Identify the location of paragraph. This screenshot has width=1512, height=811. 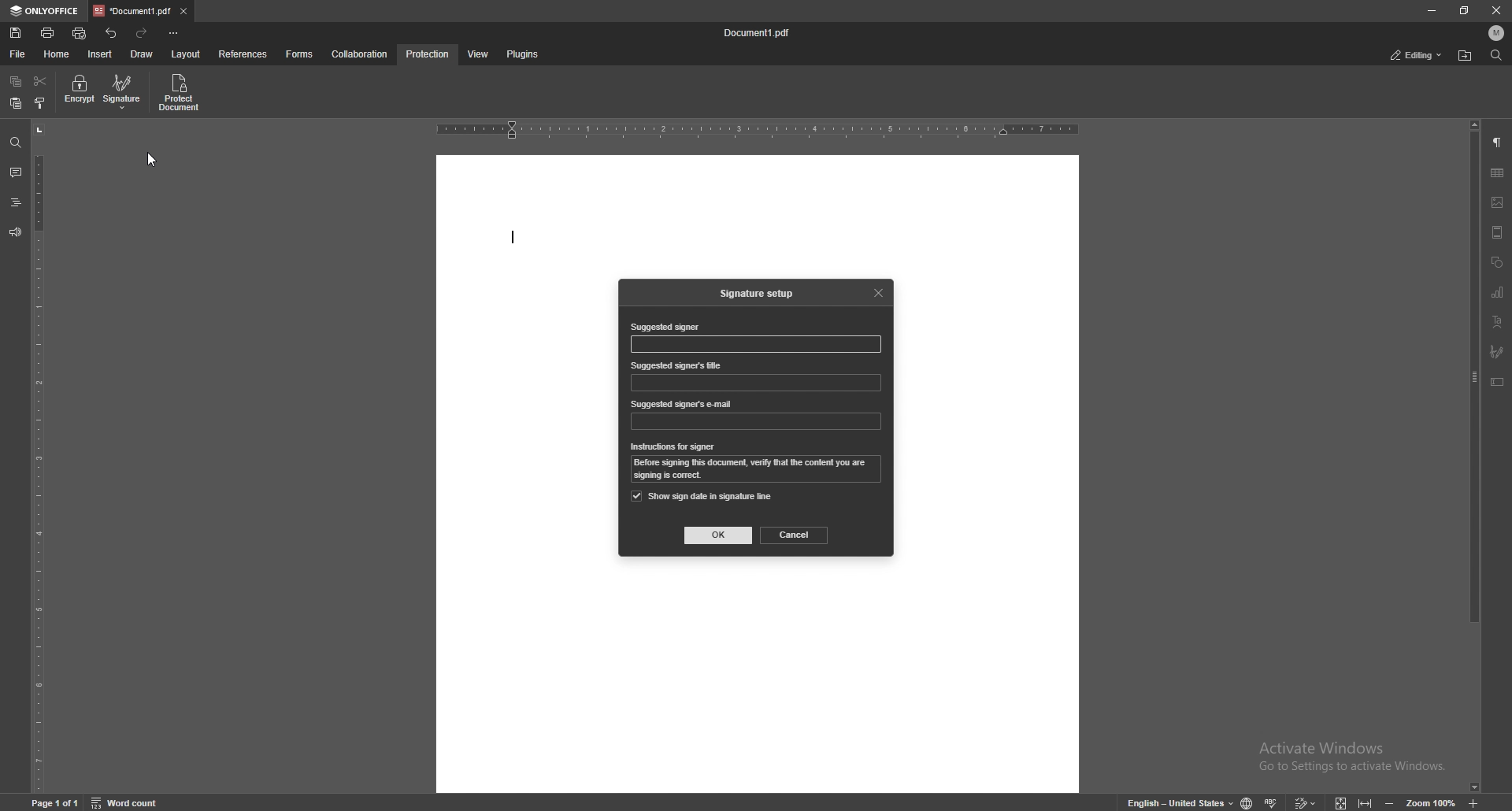
(1497, 143).